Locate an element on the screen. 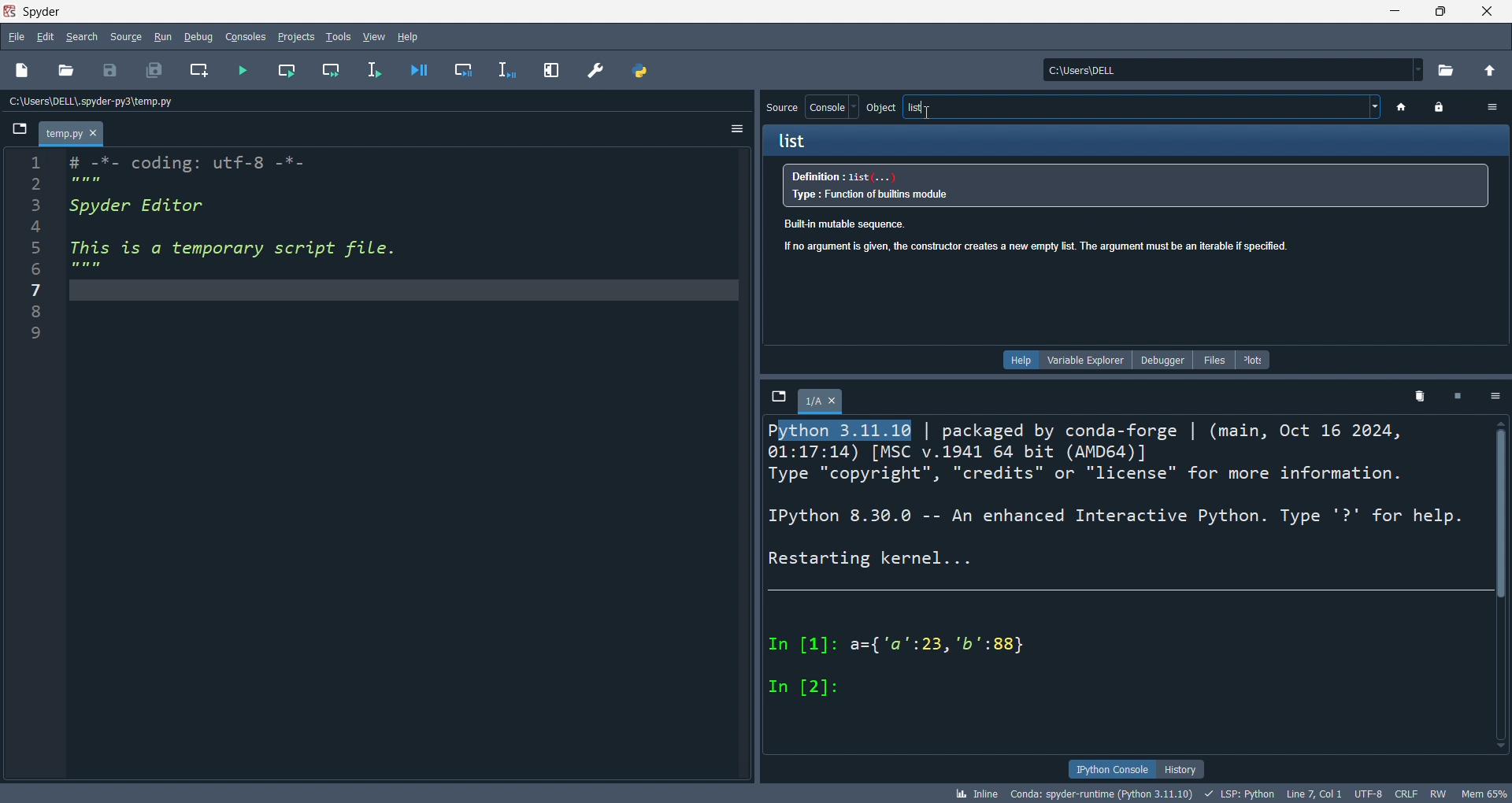 The image size is (1512, 803). open parent directory is located at coordinates (1488, 68).